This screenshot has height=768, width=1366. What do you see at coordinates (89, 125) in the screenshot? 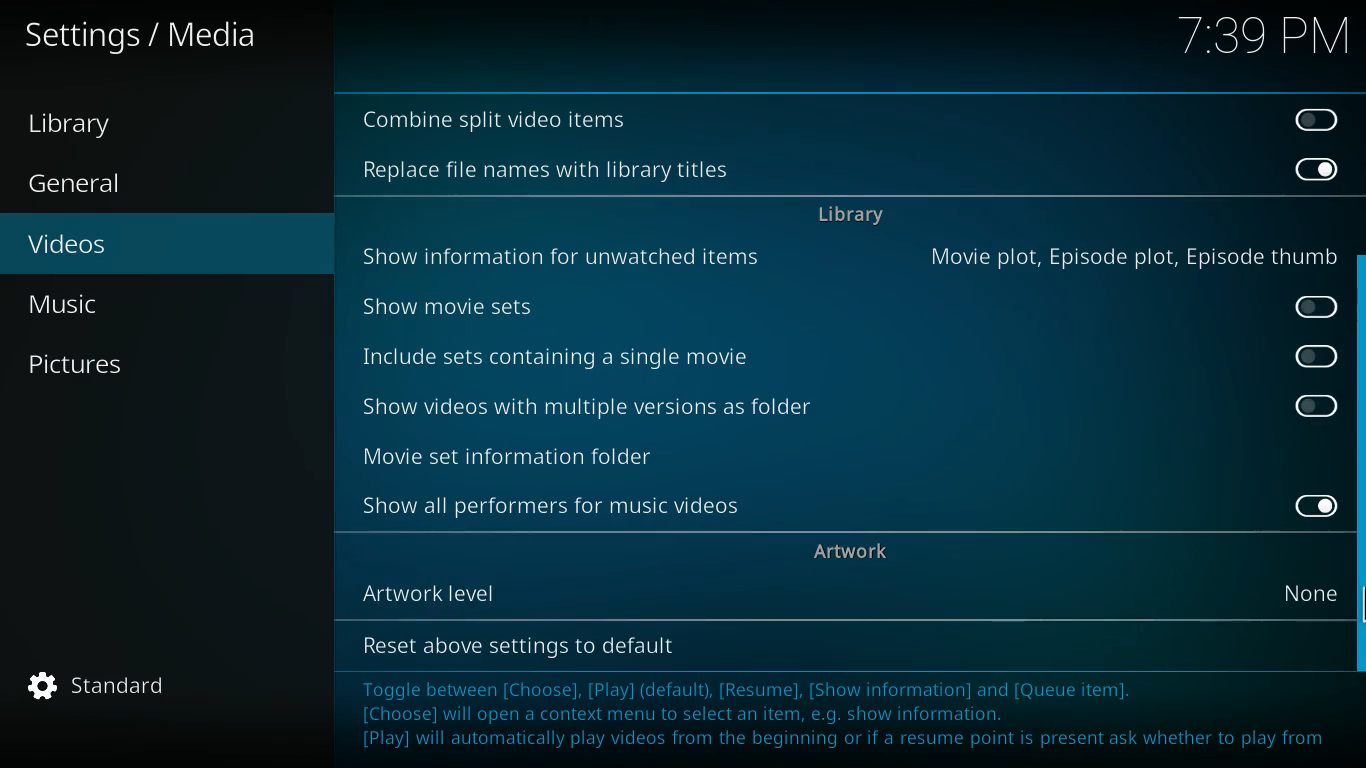
I see `Library` at bounding box center [89, 125].